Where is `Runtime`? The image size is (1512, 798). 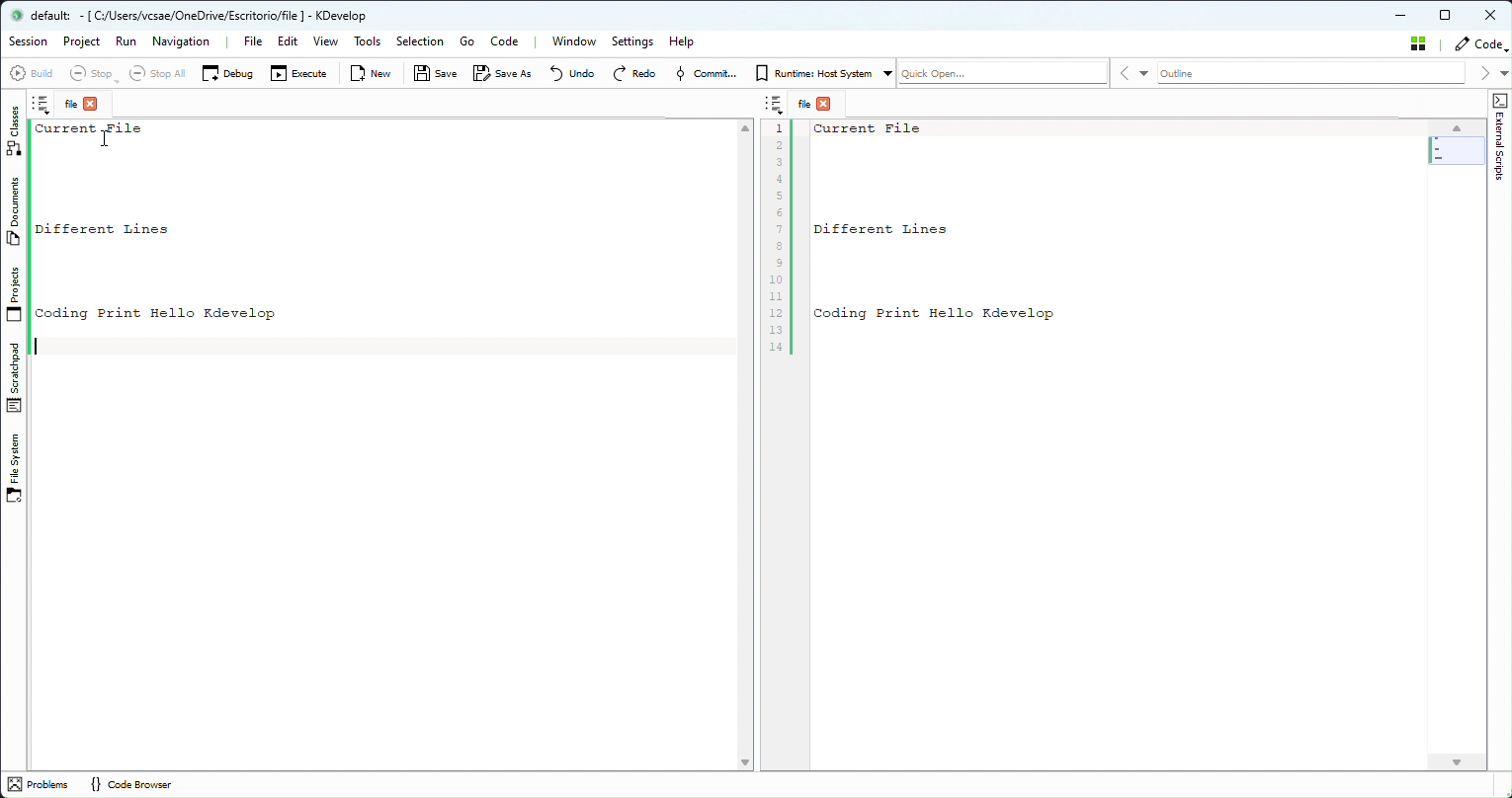 Runtime is located at coordinates (824, 73).